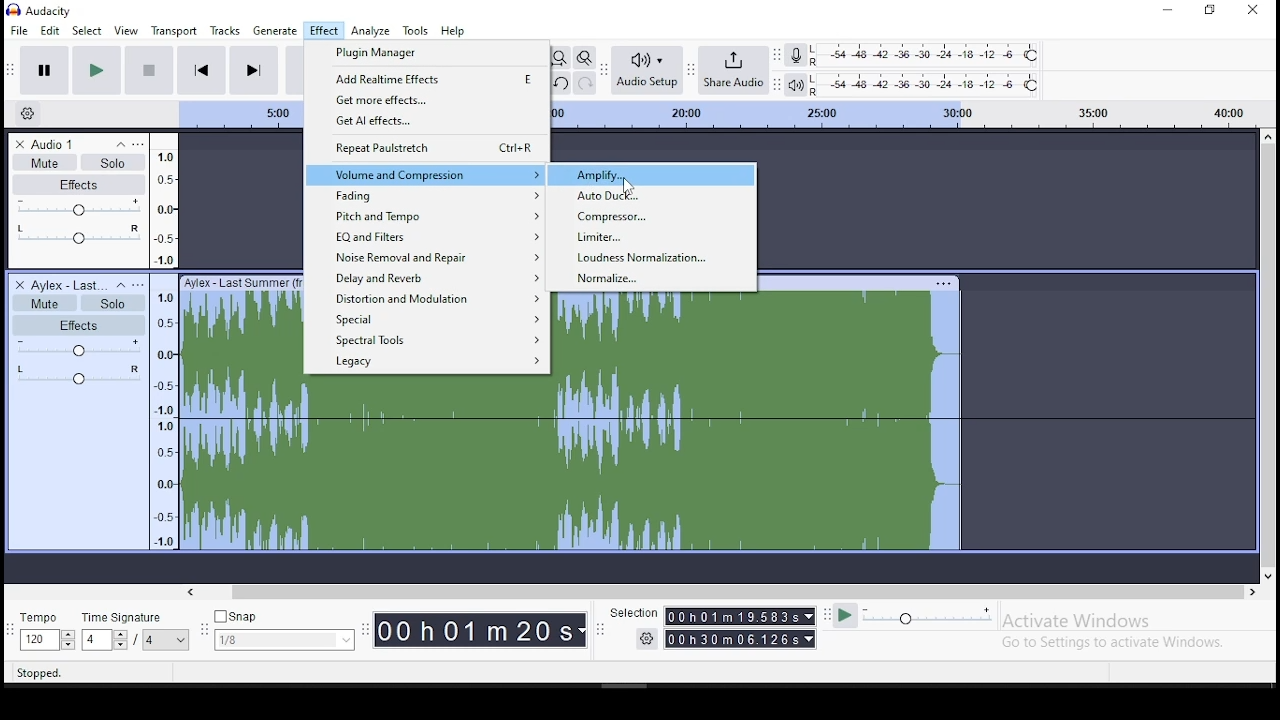 The width and height of the screenshot is (1280, 720). I want to click on collapse, so click(120, 142).